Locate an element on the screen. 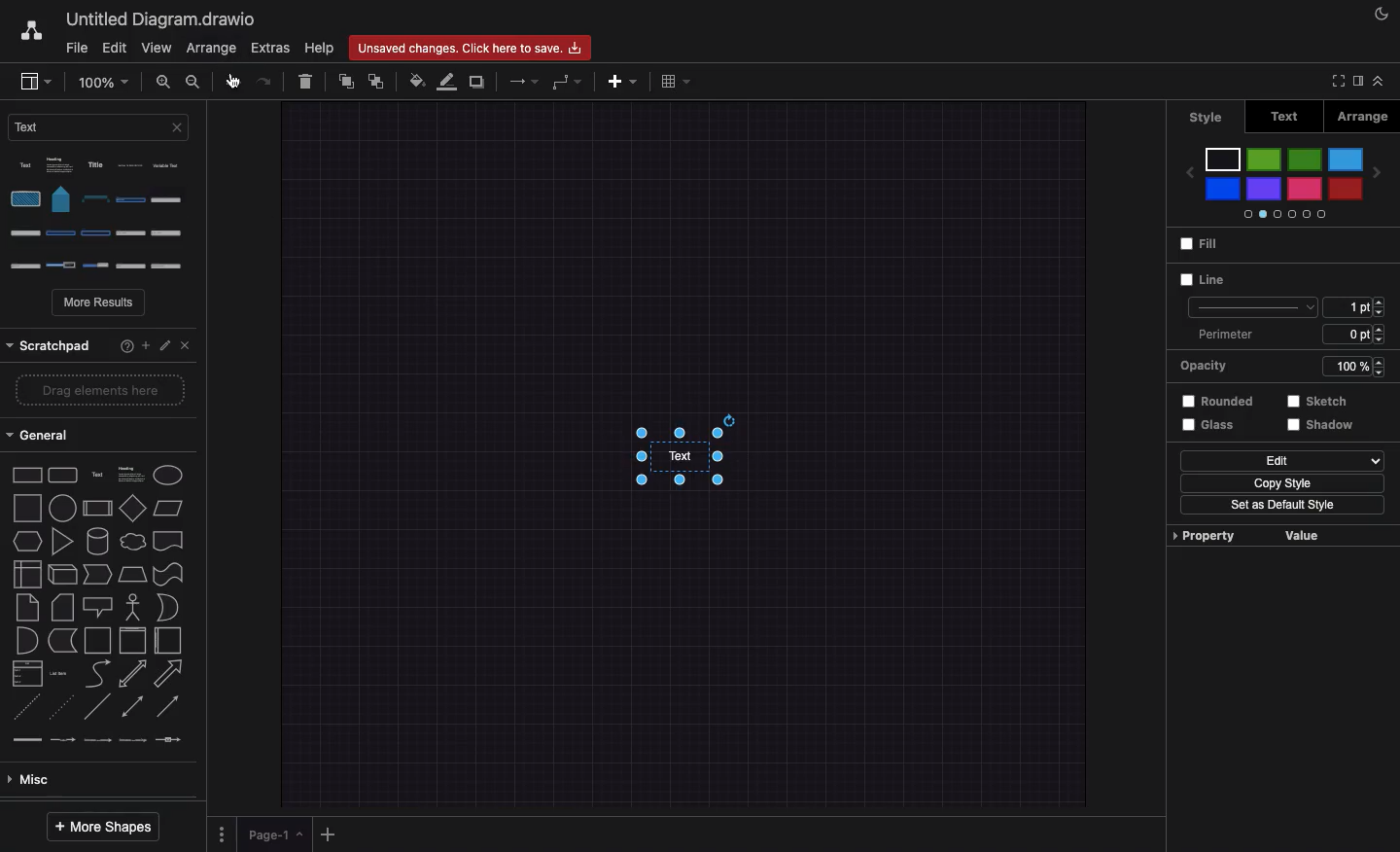 Image resolution: width=1400 pixels, height=852 pixels. Text options is located at coordinates (103, 214).